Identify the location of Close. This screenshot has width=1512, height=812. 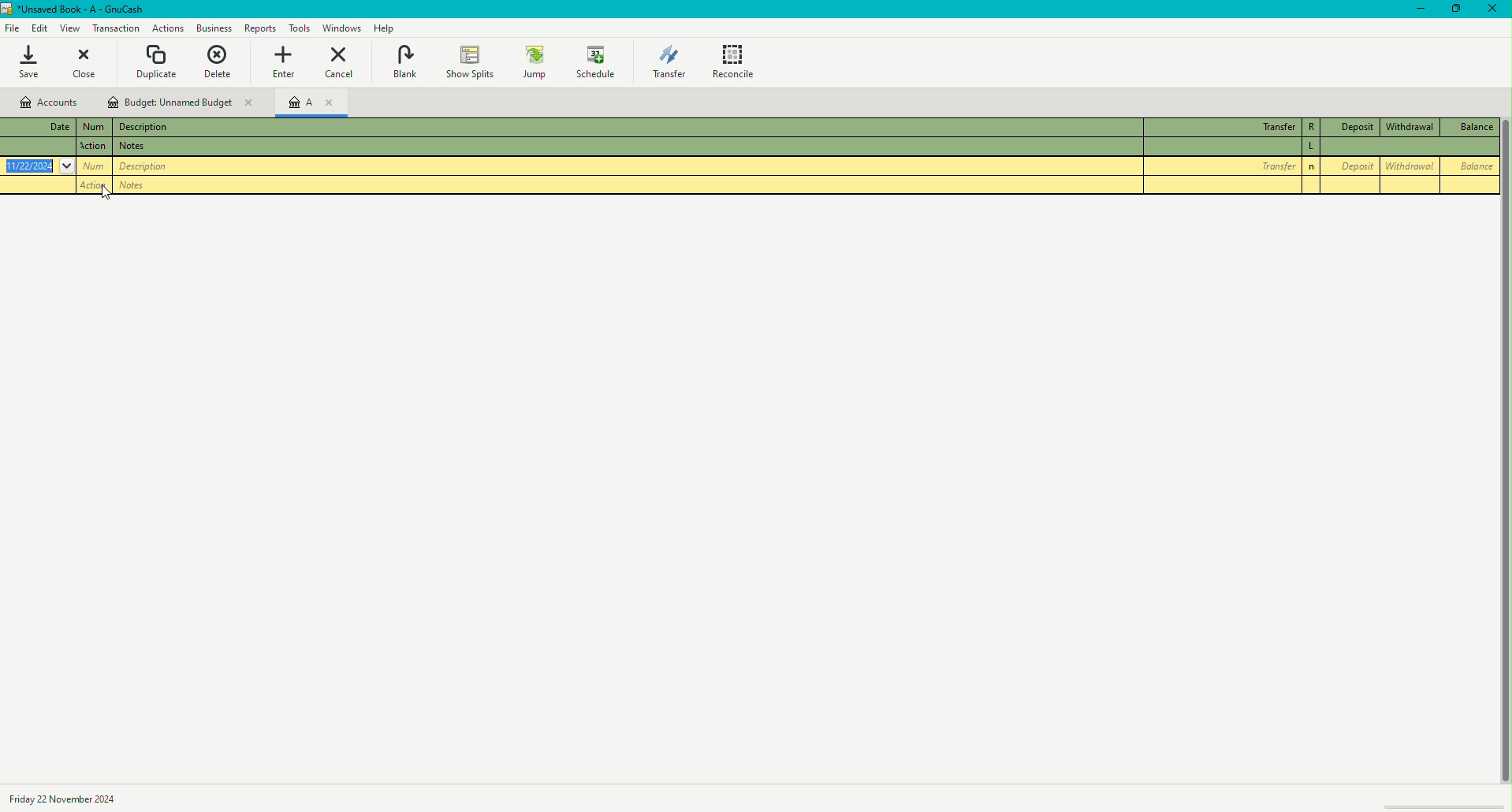
(86, 64).